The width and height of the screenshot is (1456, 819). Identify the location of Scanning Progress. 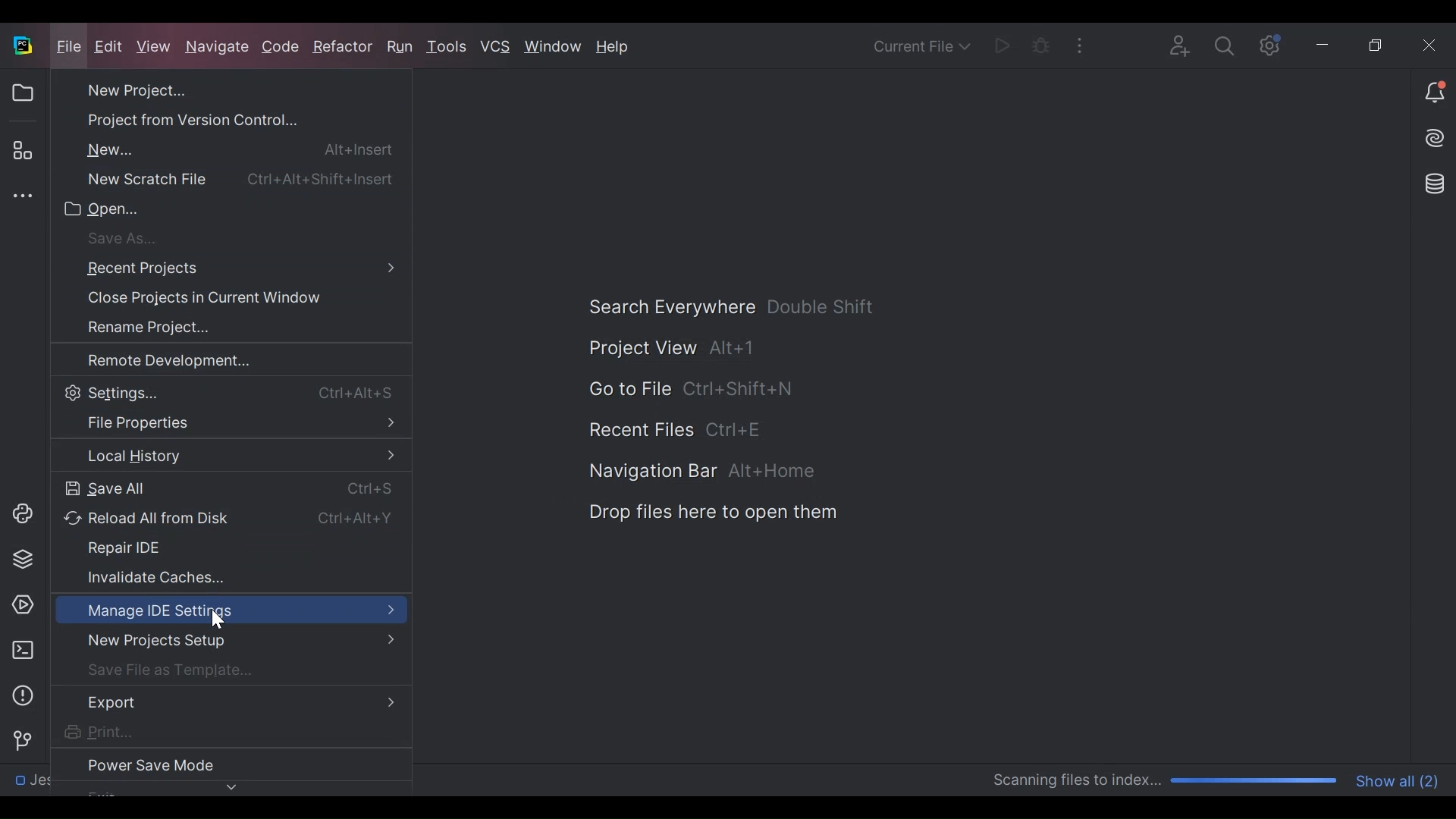
(1166, 781).